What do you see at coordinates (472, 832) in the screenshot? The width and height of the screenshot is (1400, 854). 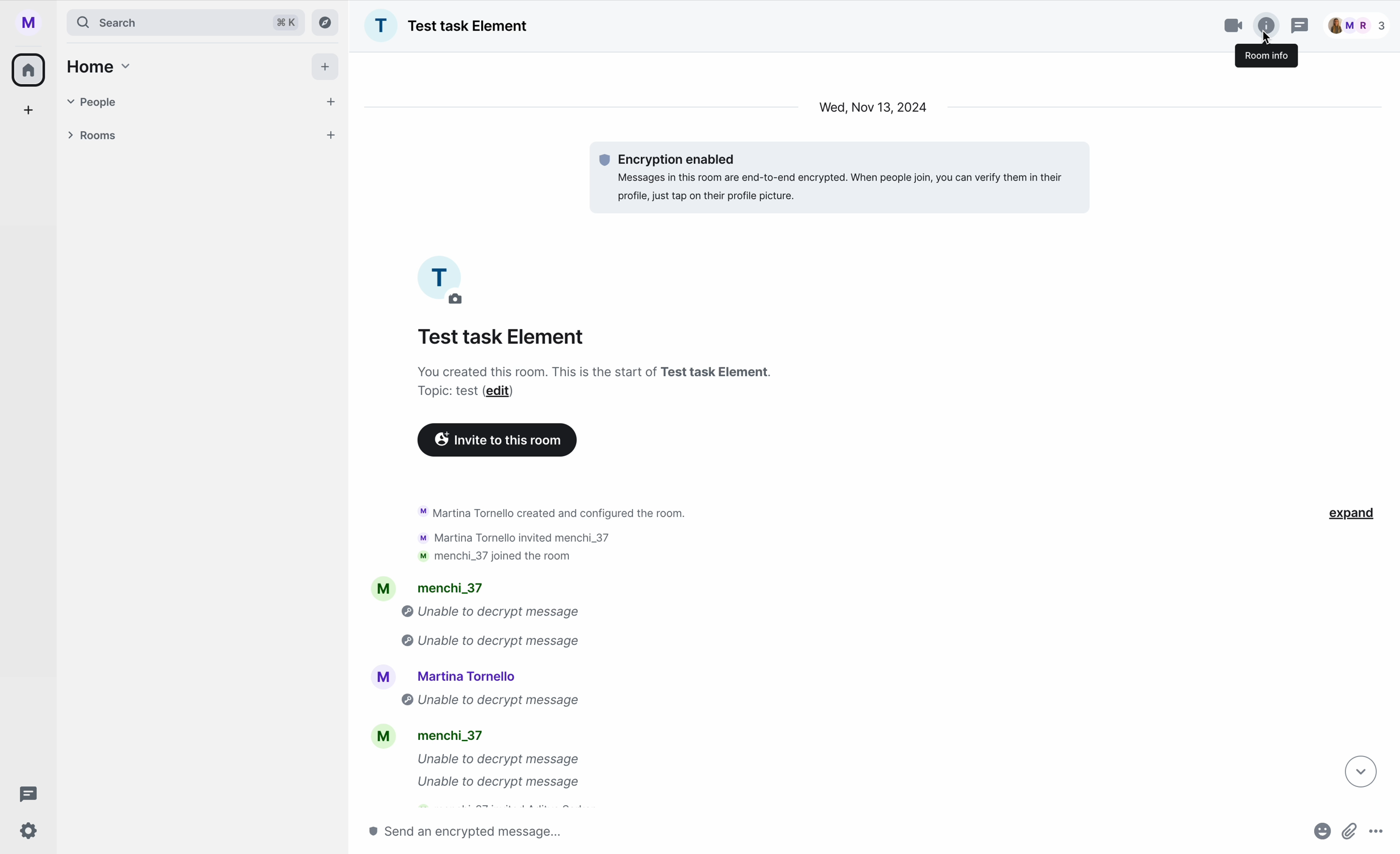 I see `send message` at bounding box center [472, 832].